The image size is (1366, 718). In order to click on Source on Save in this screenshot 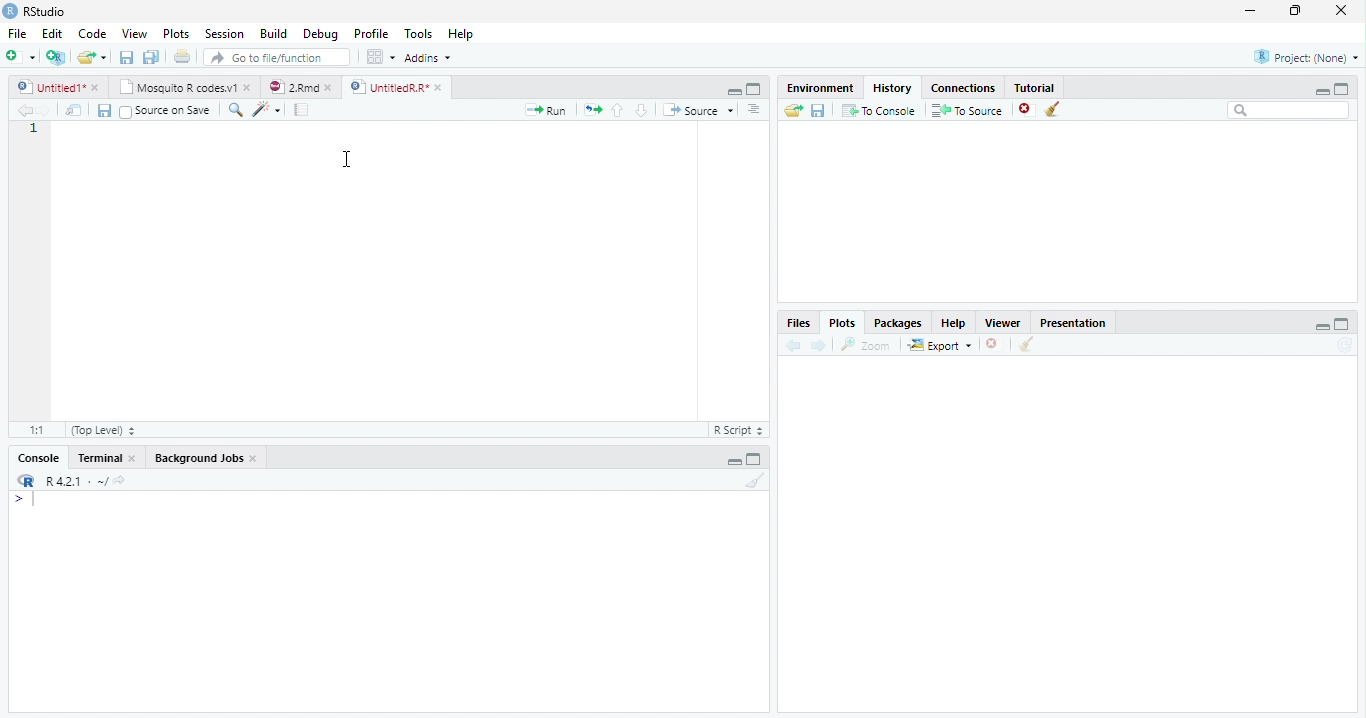, I will do `click(165, 111)`.